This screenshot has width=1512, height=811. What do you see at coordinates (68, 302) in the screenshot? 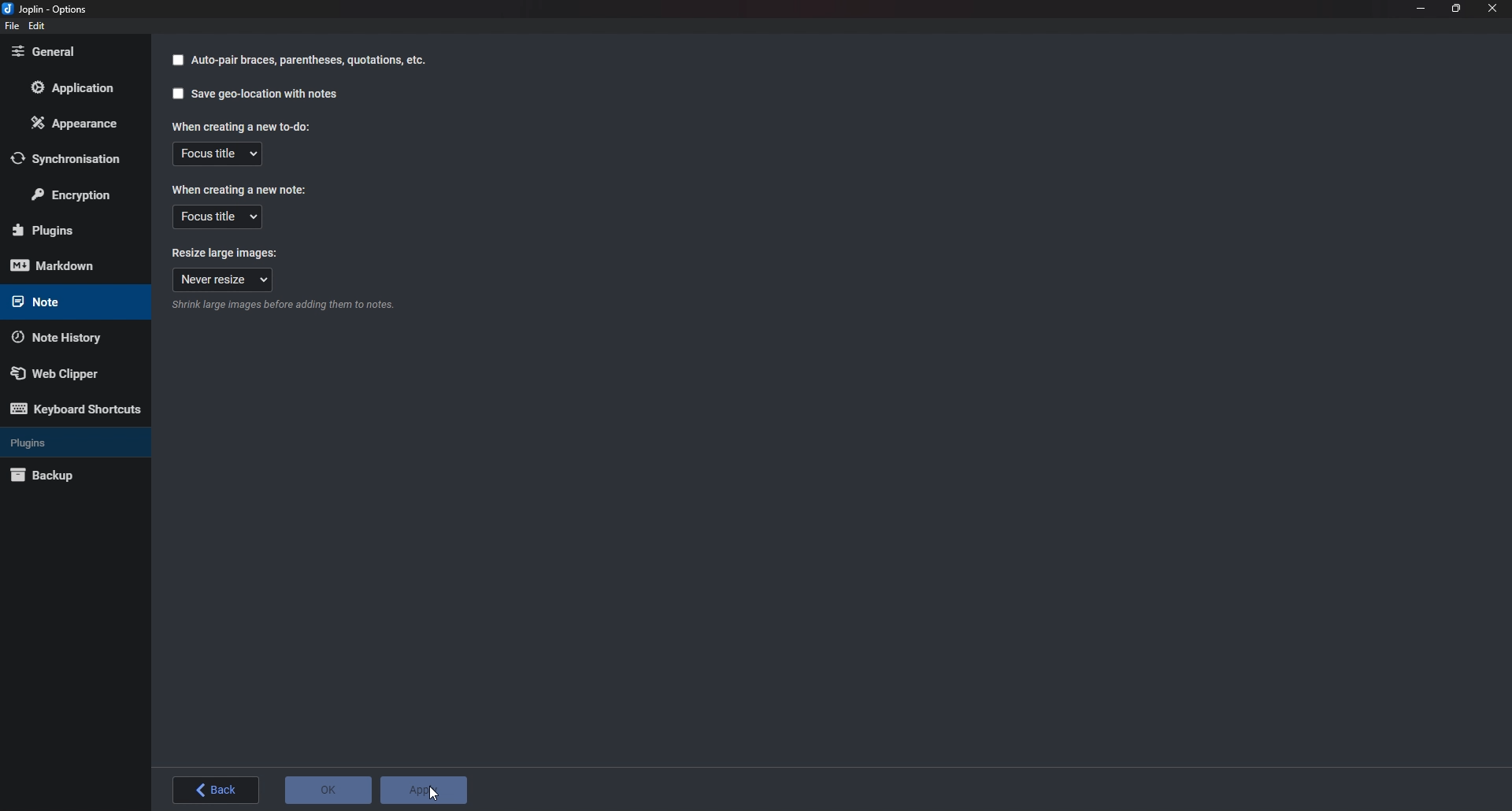
I see `note` at bounding box center [68, 302].